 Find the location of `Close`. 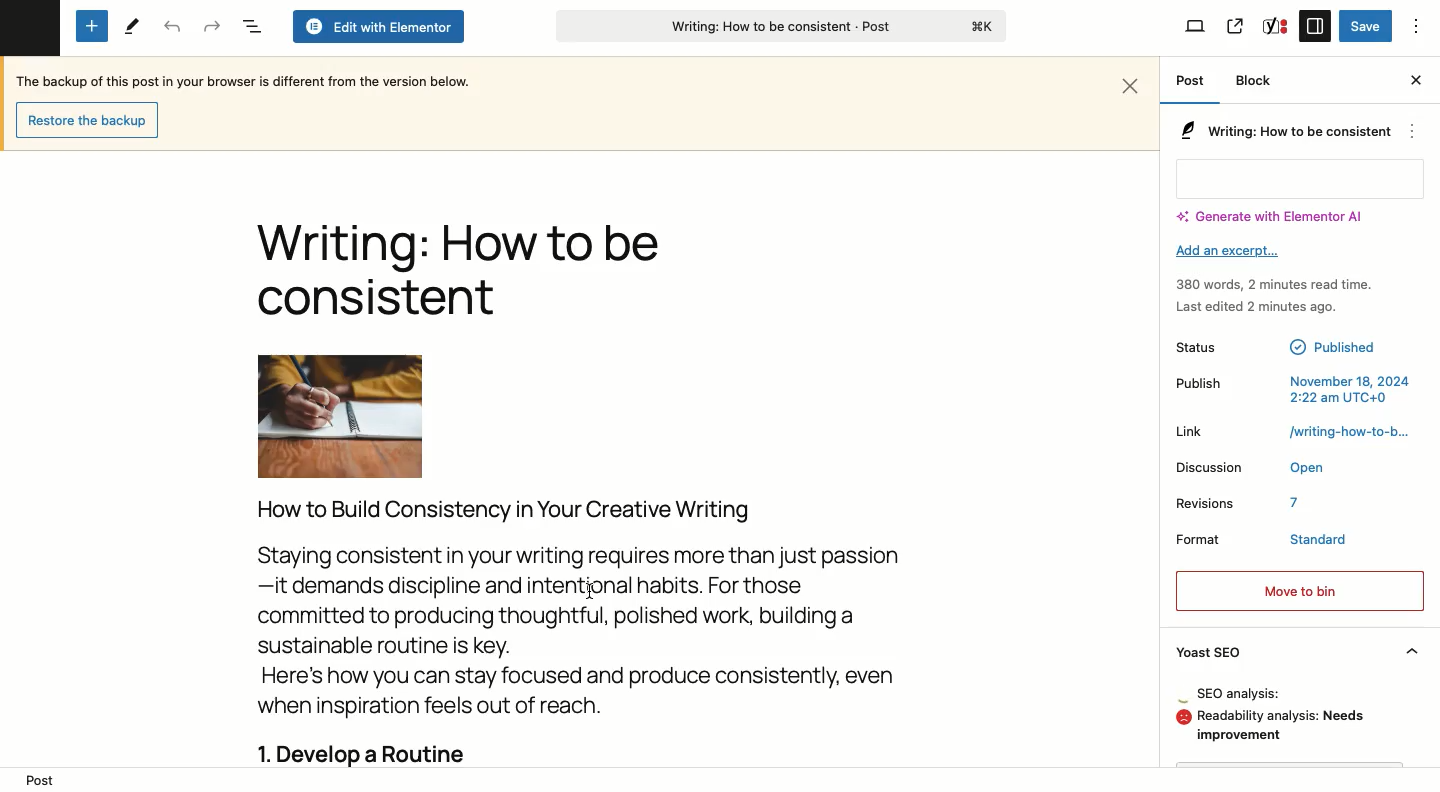

Close is located at coordinates (1412, 80).